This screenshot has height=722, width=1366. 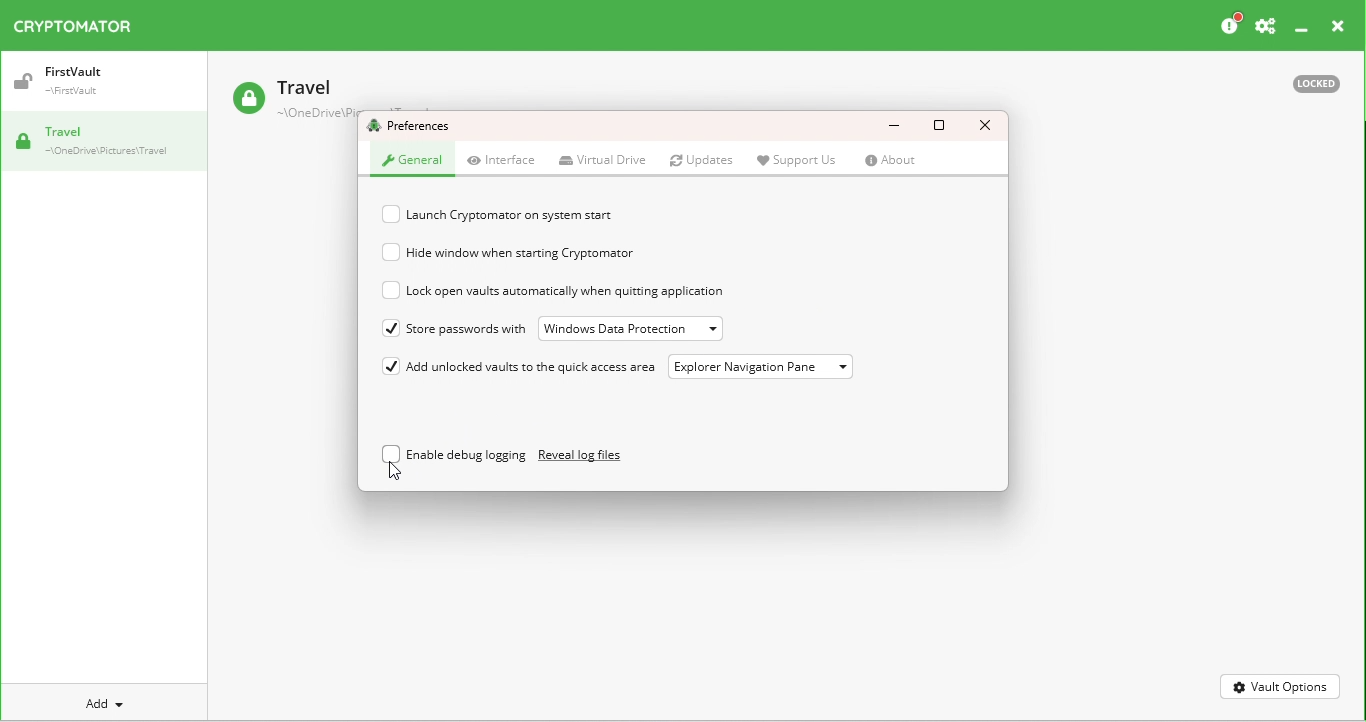 What do you see at coordinates (414, 127) in the screenshot?
I see `Preferences` at bounding box center [414, 127].